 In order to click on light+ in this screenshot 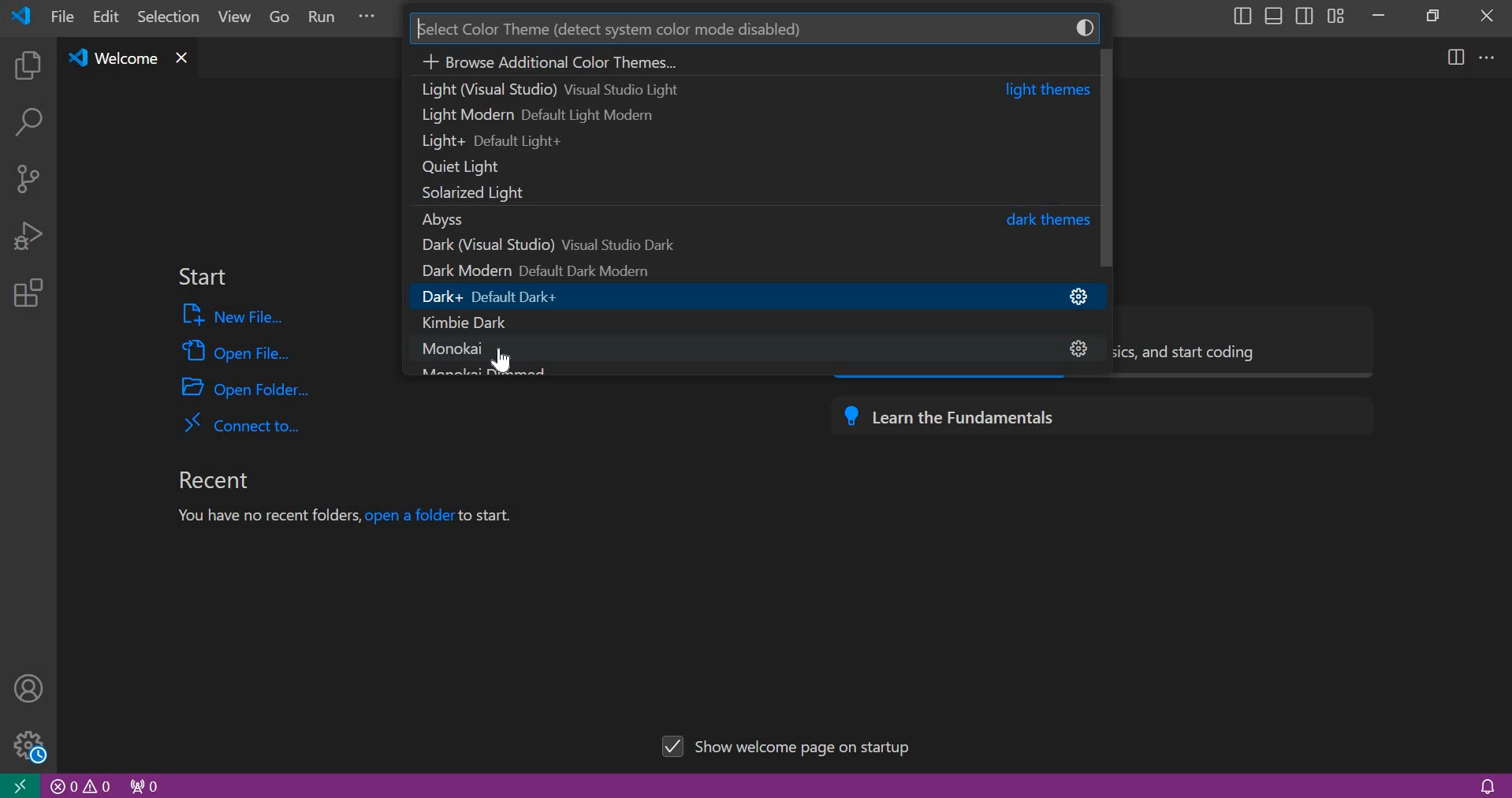, I will do `click(749, 141)`.